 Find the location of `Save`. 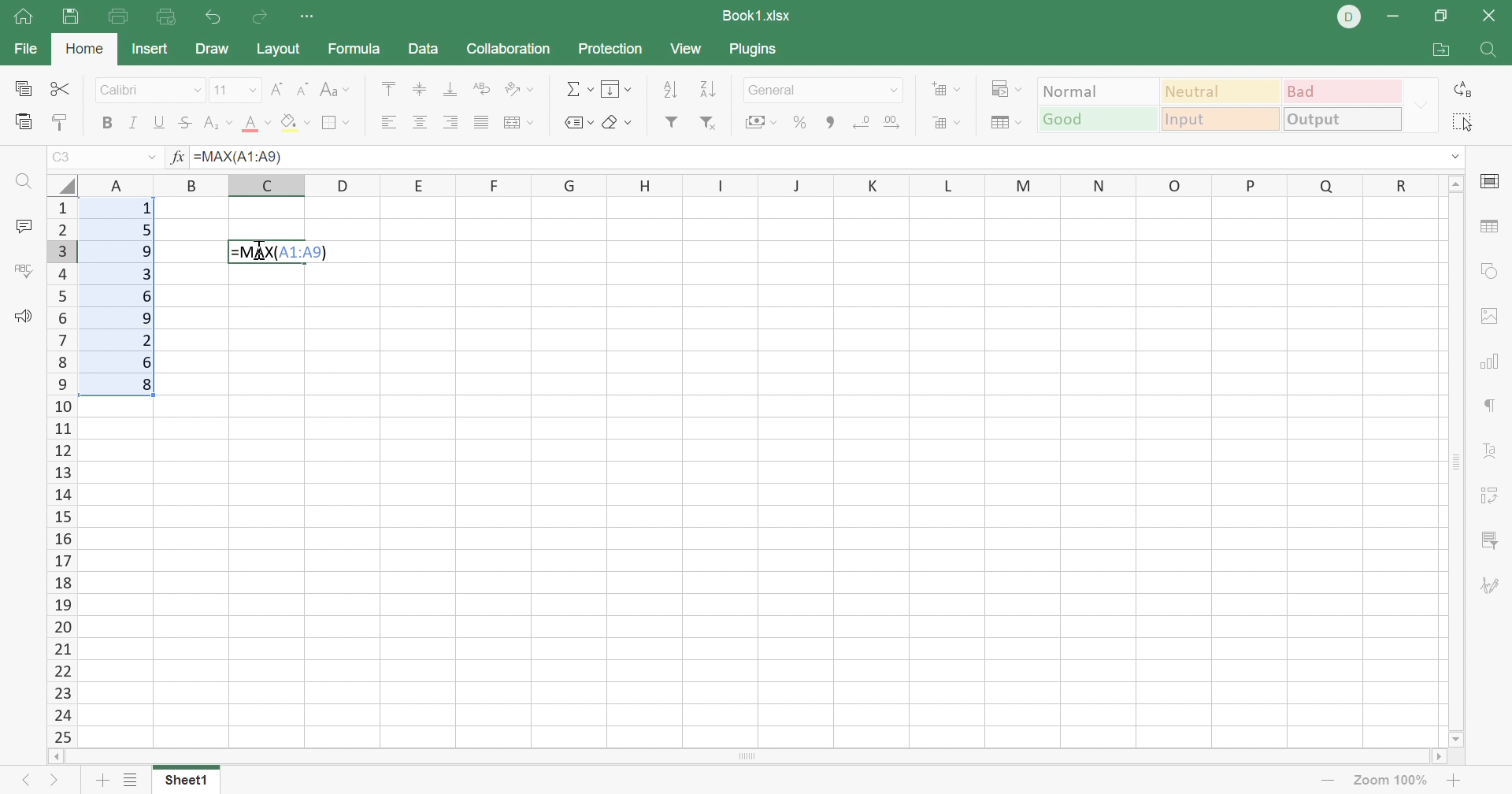

Save is located at coordinates (75, 17).